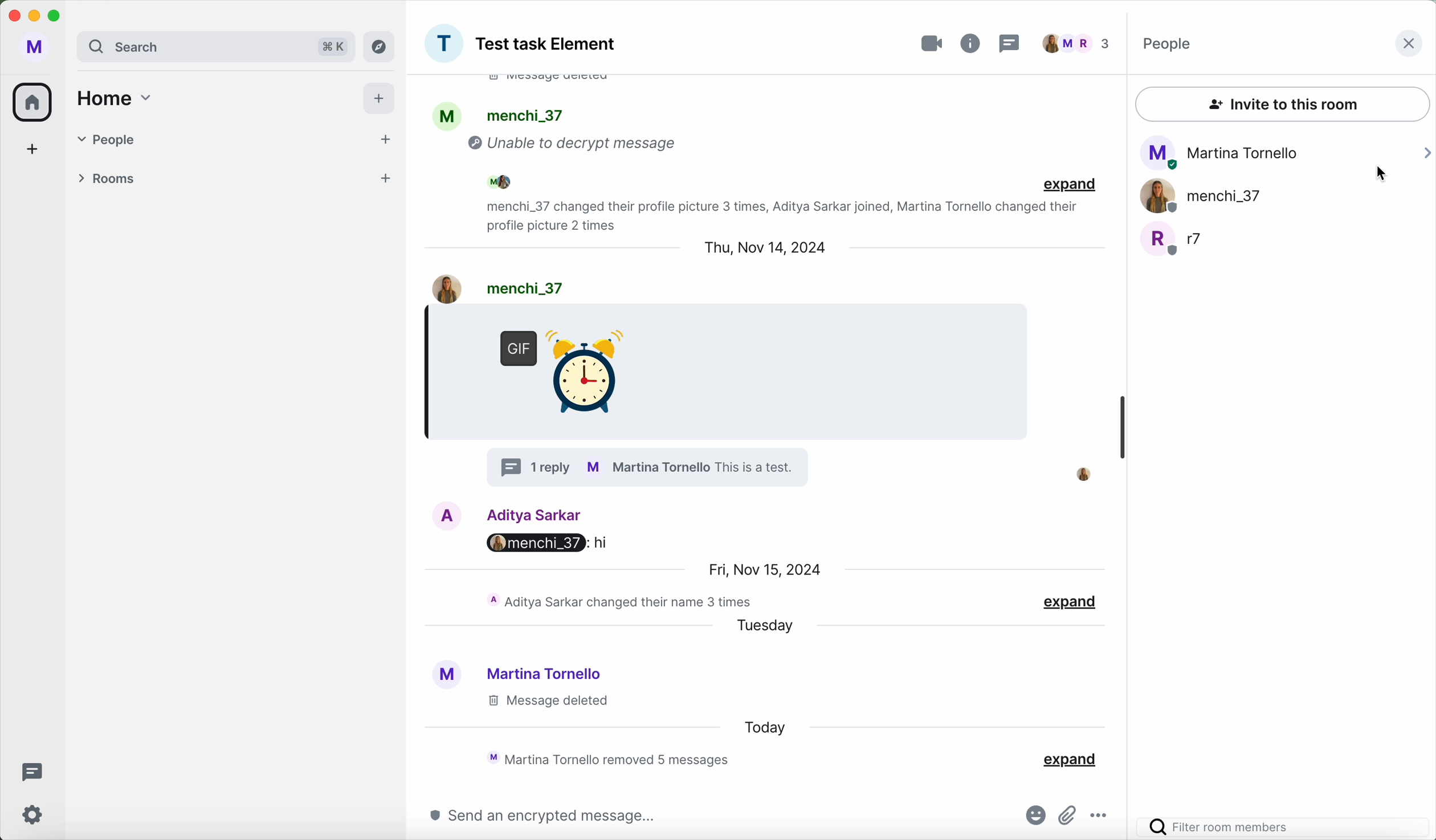 Image resolution: width=1436 pixels, height=840 pixels. I want to click on activity chat, so click(622, 602).